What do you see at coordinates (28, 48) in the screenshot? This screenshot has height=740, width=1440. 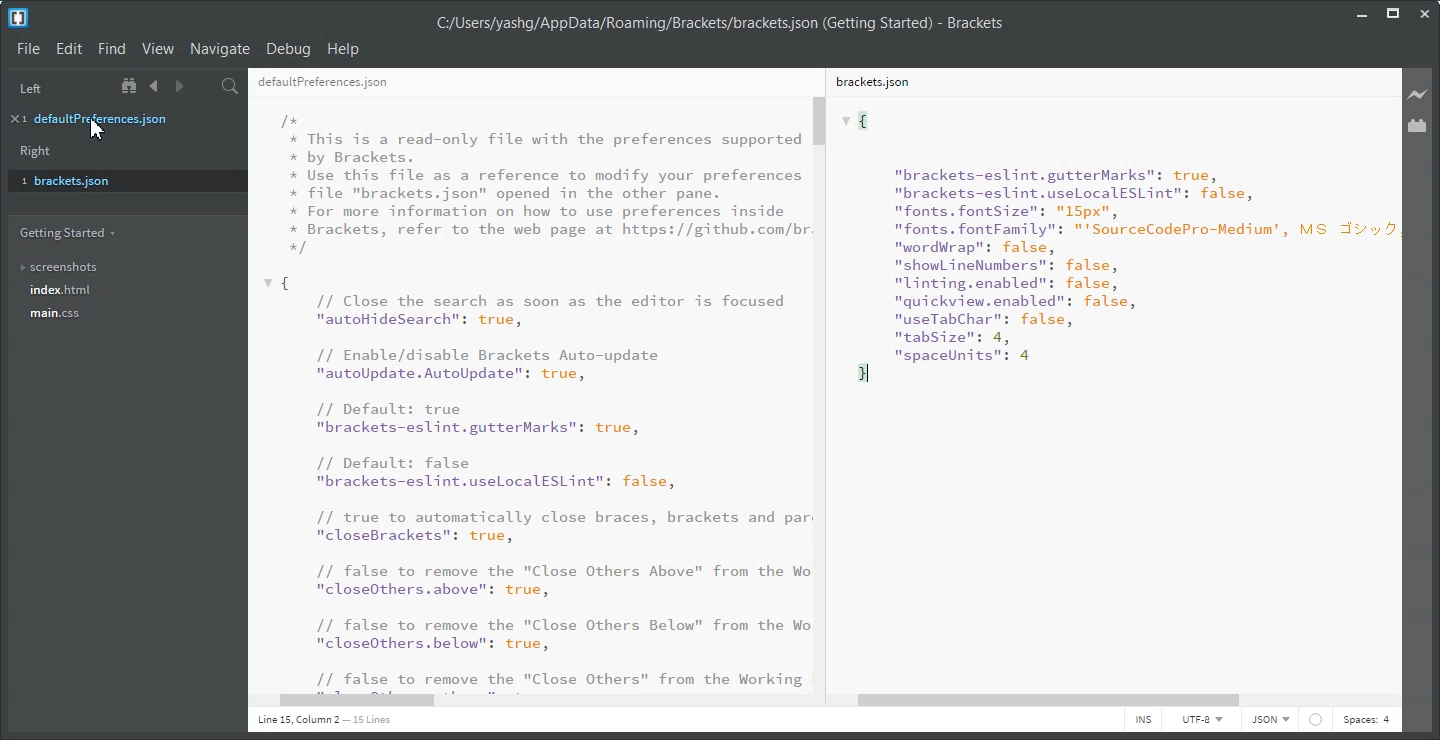 I see `File` at bounding box center [28, 48].